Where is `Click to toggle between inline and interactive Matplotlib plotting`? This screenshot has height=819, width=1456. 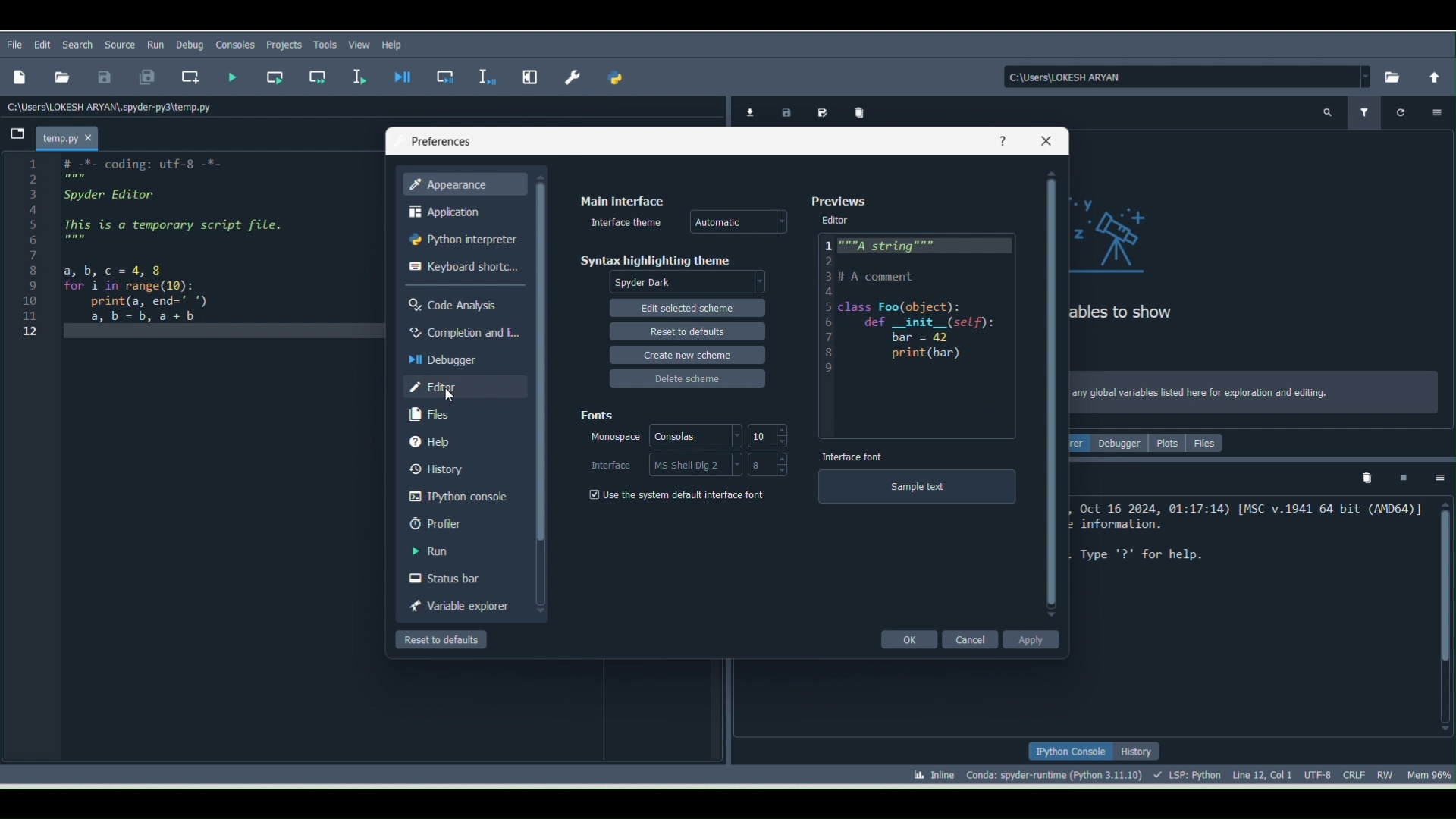
Click to toggle between inline and interactive Matplotlib plotting is located at coordinates (925, 771).